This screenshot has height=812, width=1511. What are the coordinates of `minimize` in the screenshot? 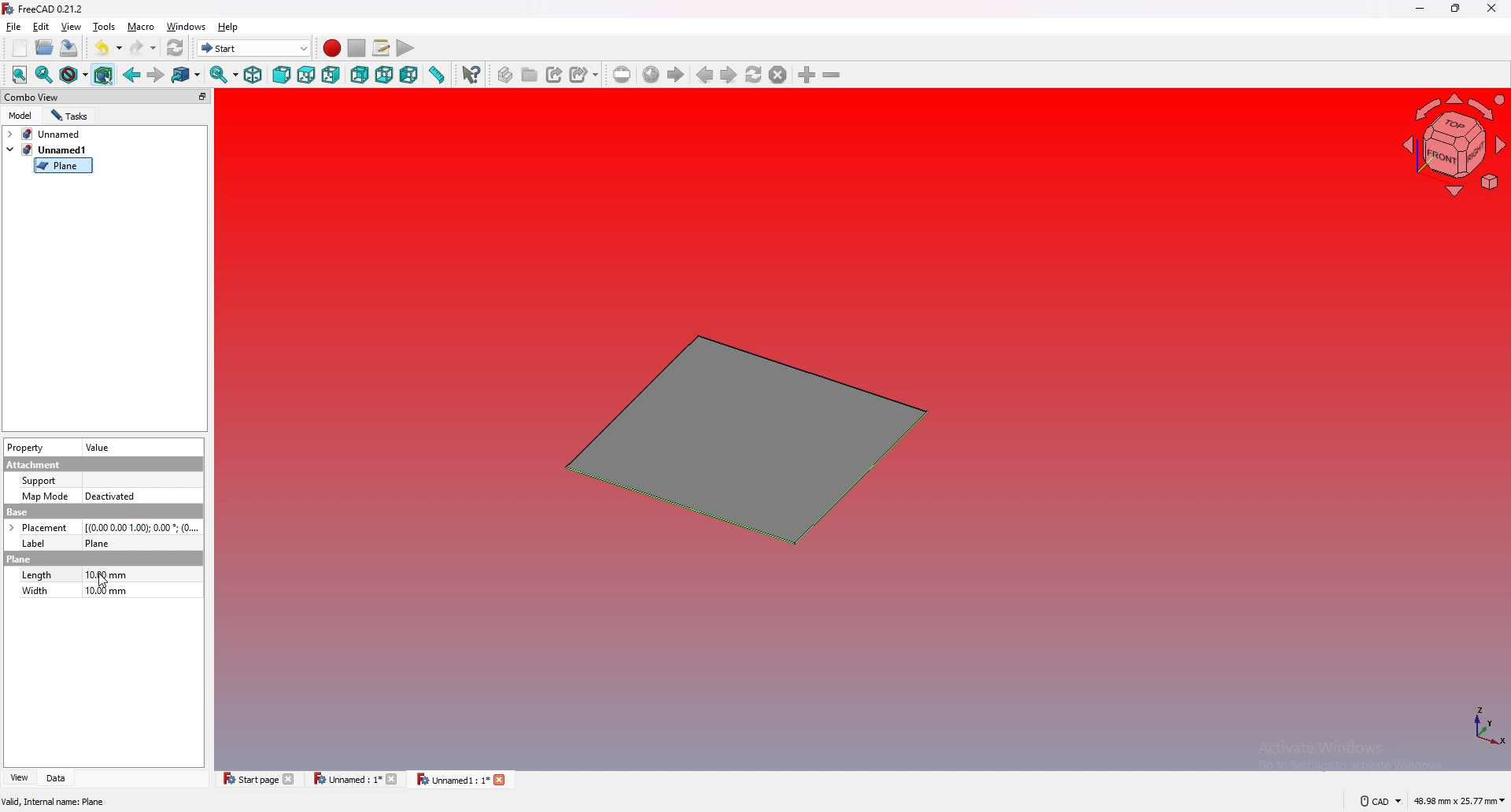 It's located at (1421, 9).